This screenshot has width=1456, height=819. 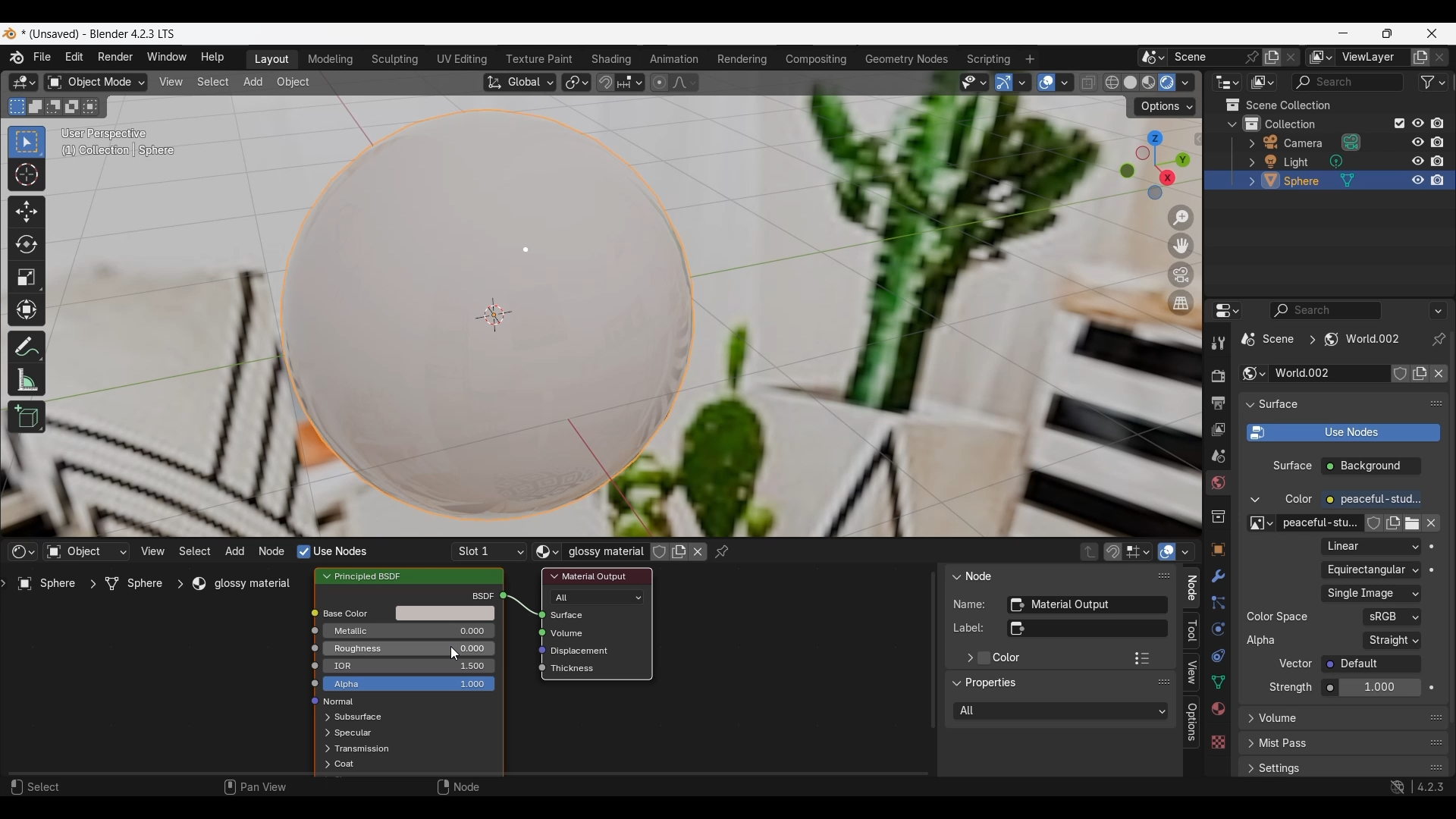 What do you see at coordinates (1246, 745) in the screenshot?
I see `expand respective scenes` at bounding box center [1246, 745].